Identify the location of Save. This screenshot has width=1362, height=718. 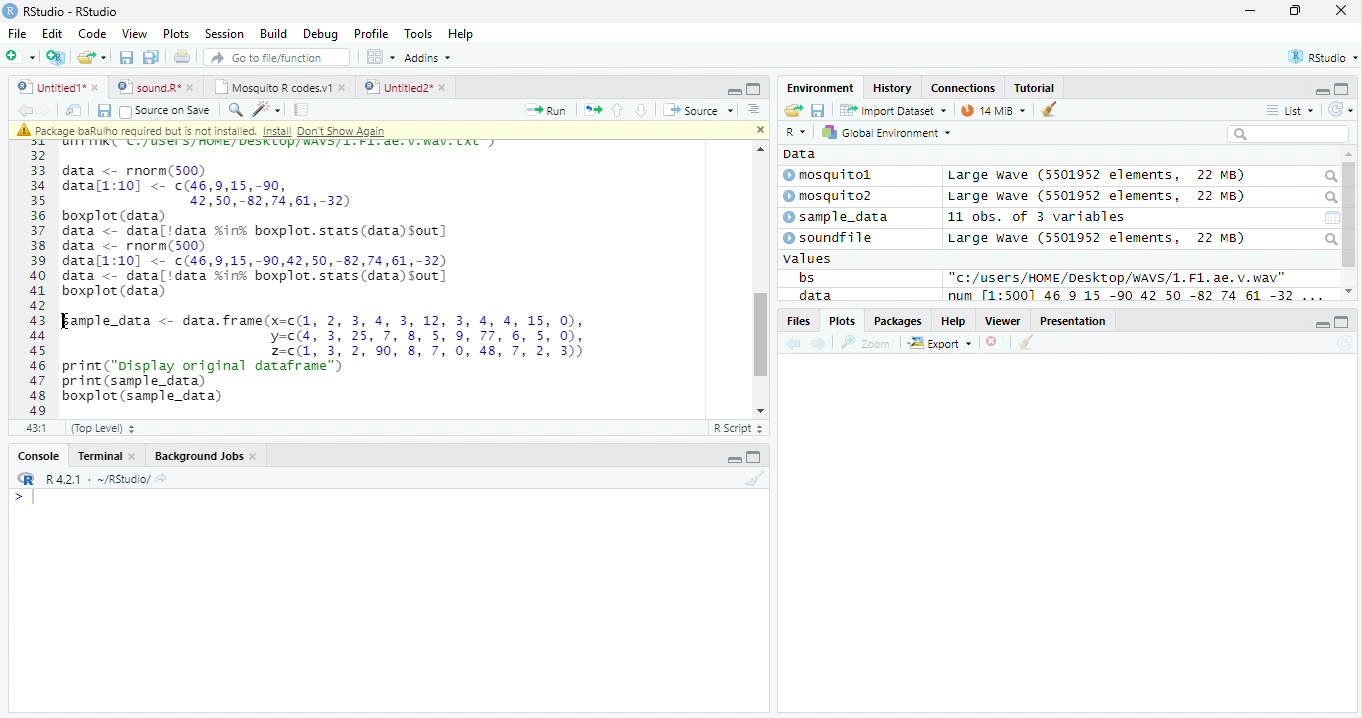
(818, 110).